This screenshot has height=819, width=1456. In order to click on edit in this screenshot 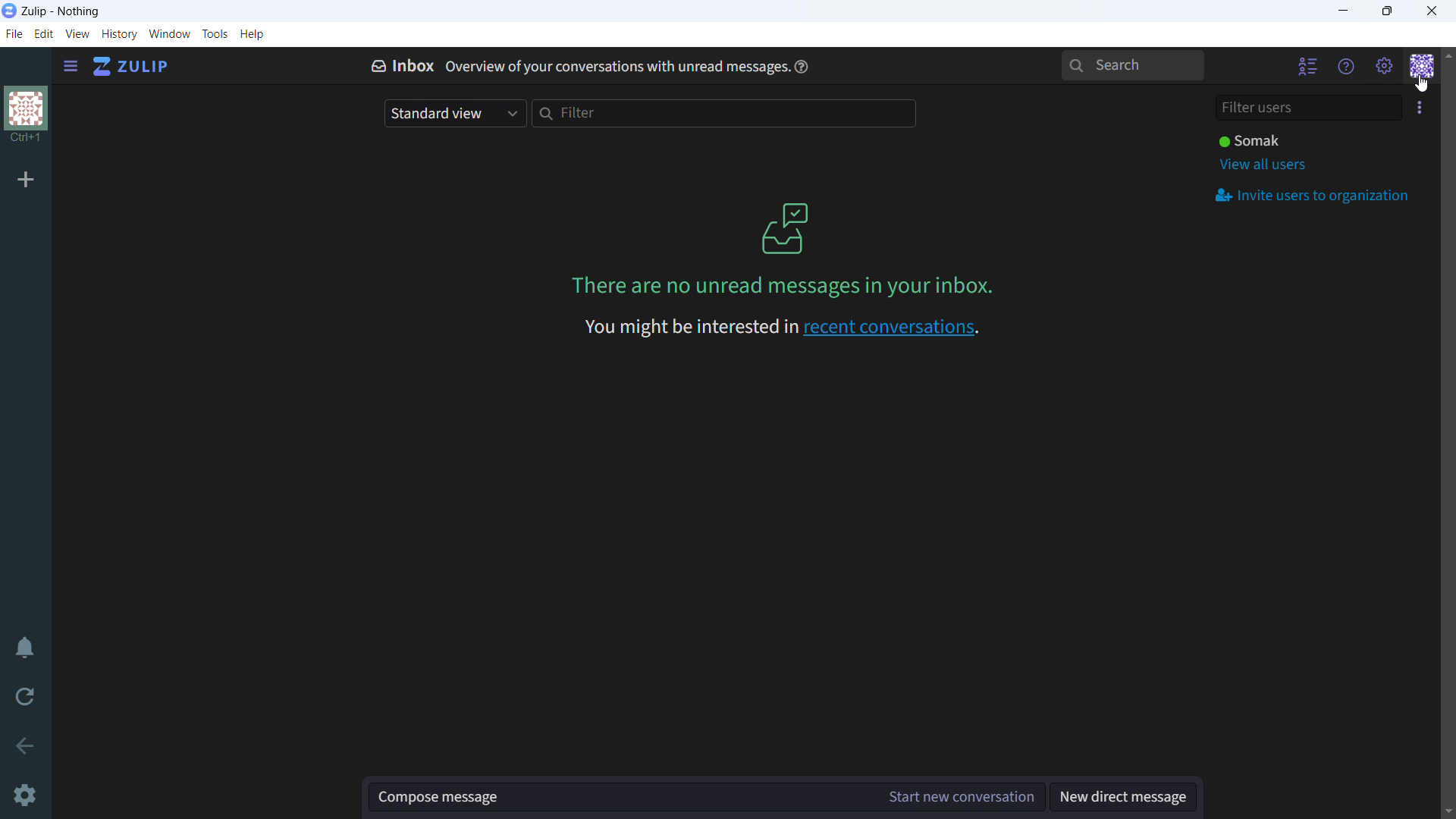, I will do `click(43, 33)`.